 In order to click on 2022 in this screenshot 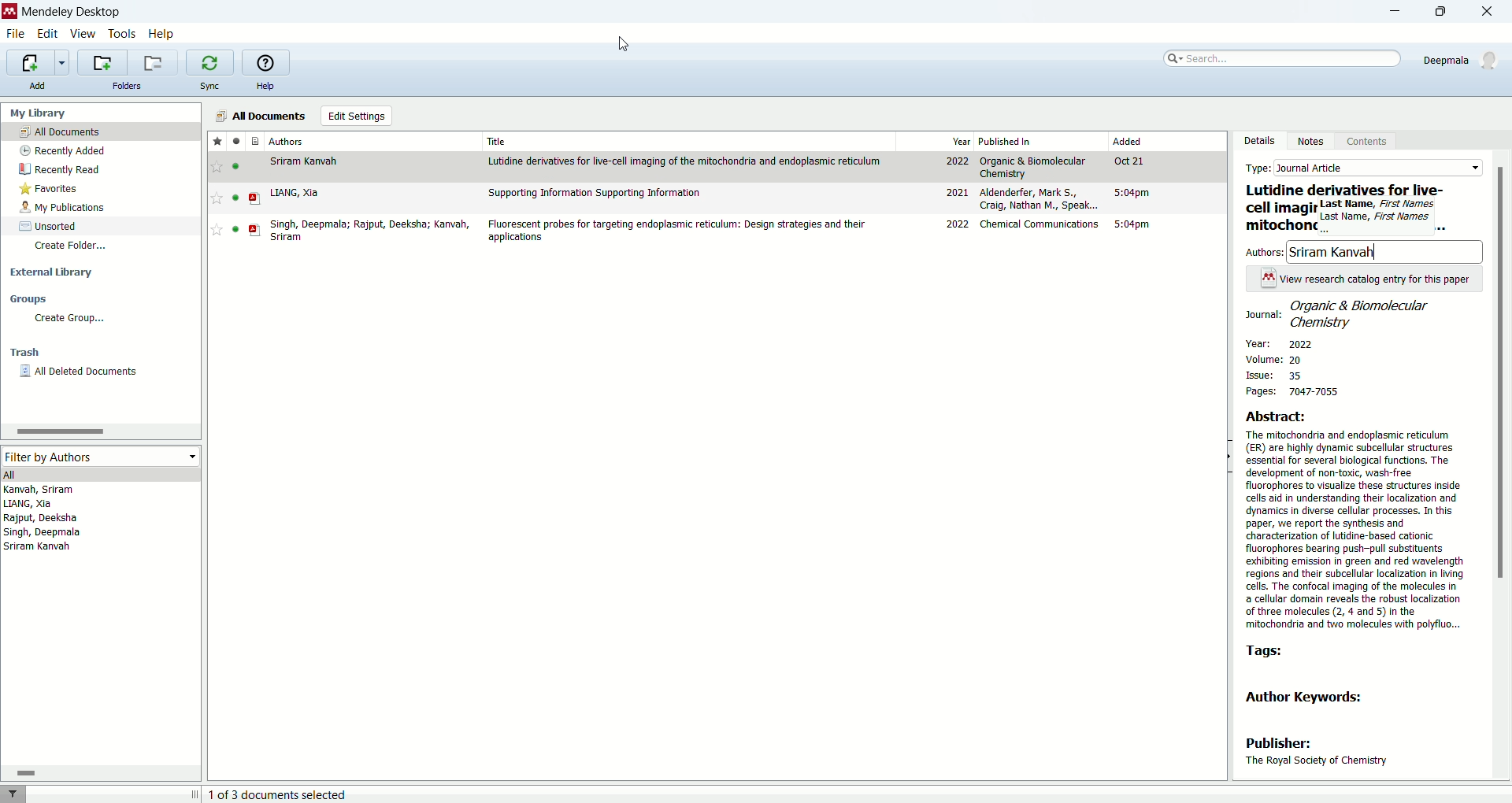, I will do `click(956, 161)`.